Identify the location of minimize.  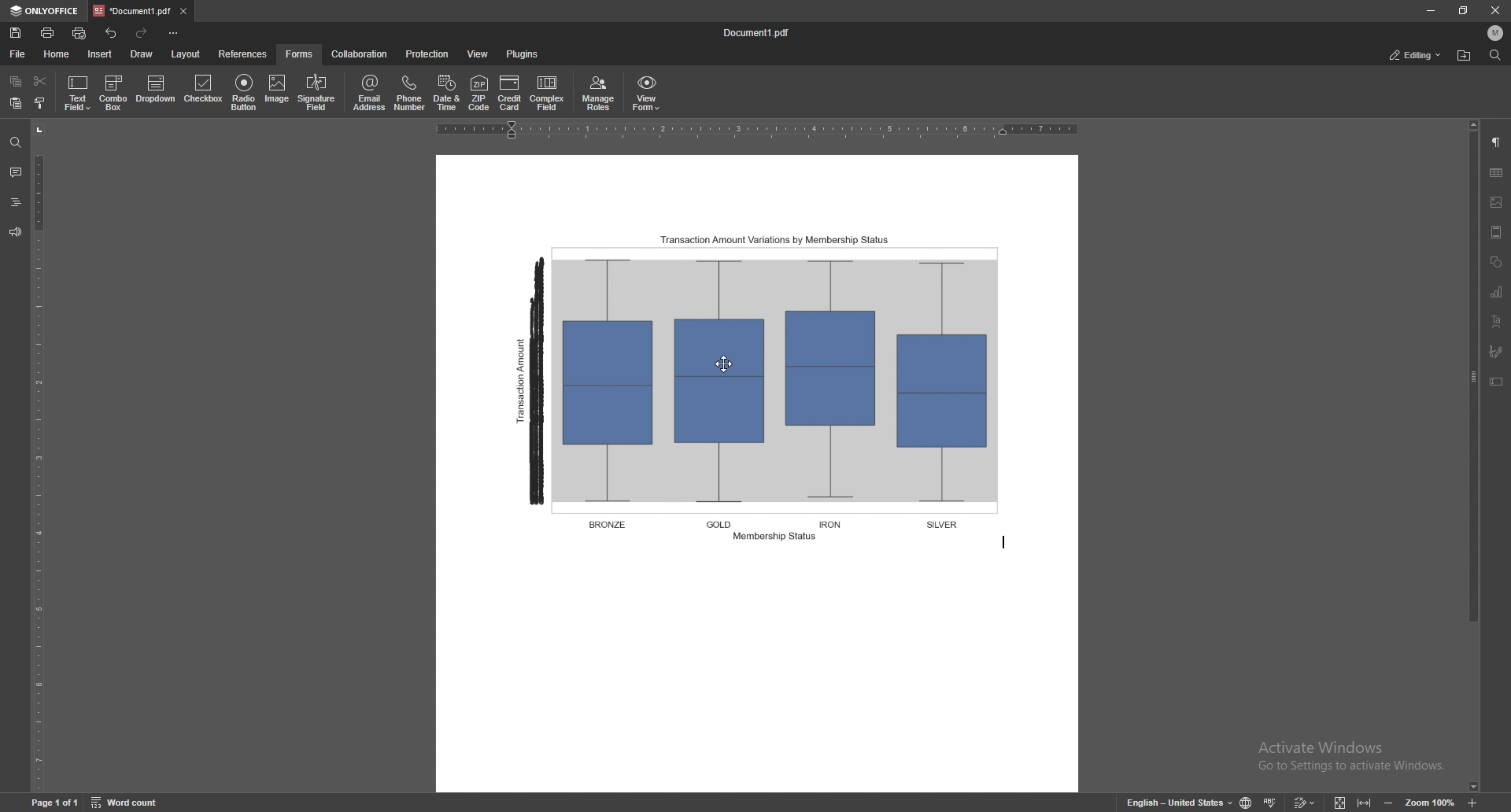
(1430, 11).